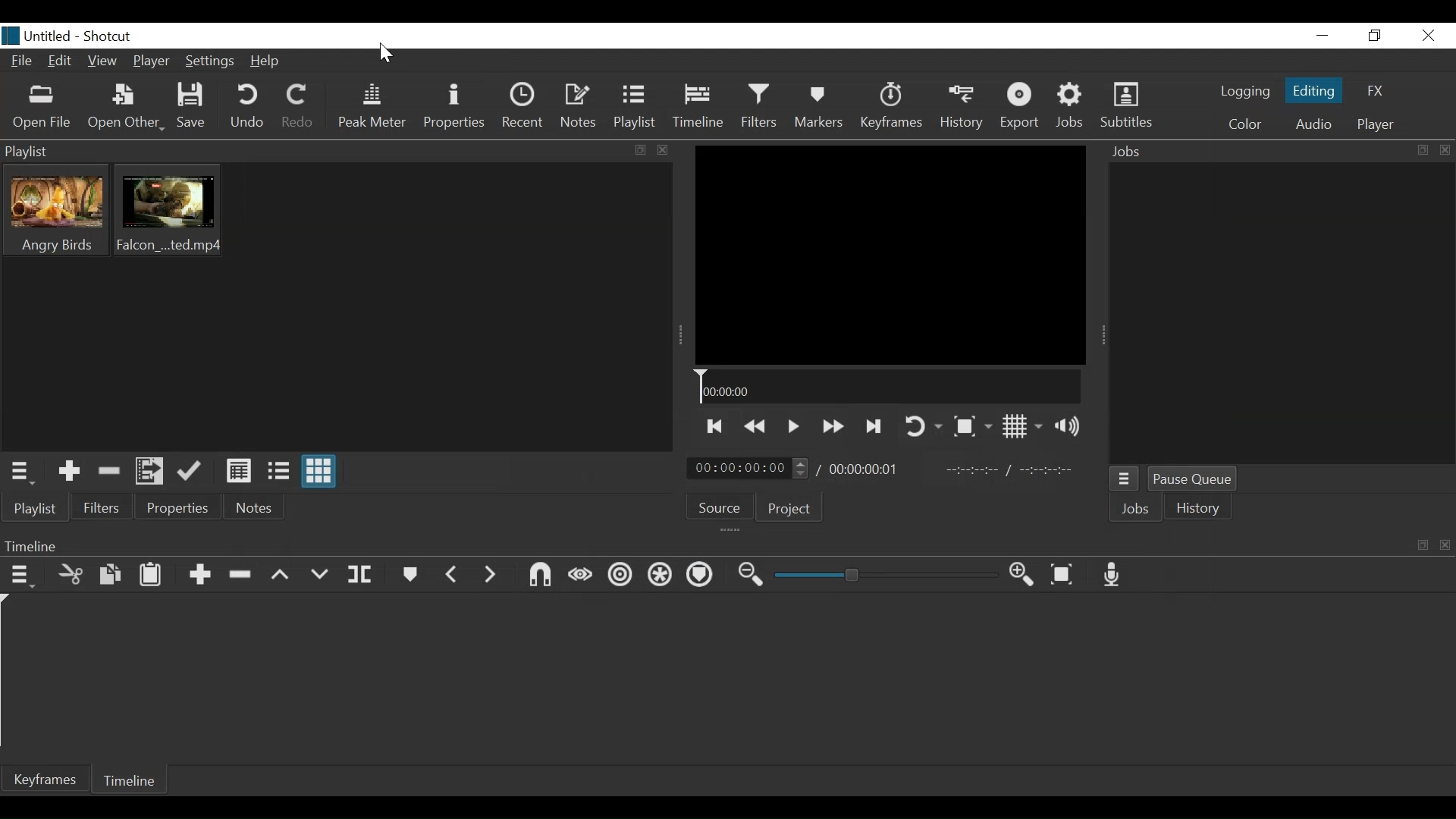 The width and height of the screenshot is (1456, 819). What do you see at coordinates (579, 104) in the screenshot?
I see `Notes` at bounding box center [579, 104].